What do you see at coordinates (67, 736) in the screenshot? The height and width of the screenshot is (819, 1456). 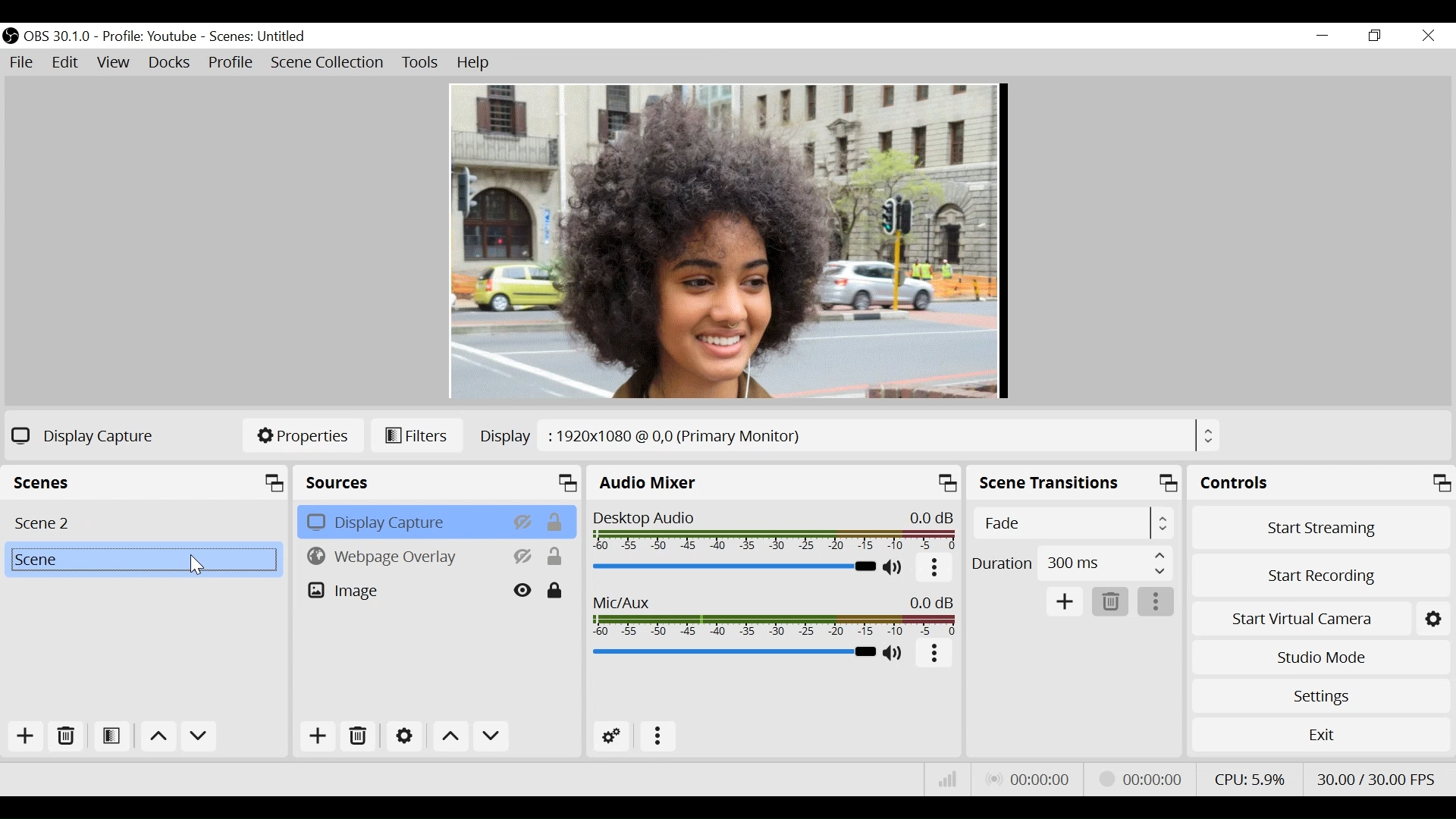 I see `Delete` at bounding box center [67, 736].